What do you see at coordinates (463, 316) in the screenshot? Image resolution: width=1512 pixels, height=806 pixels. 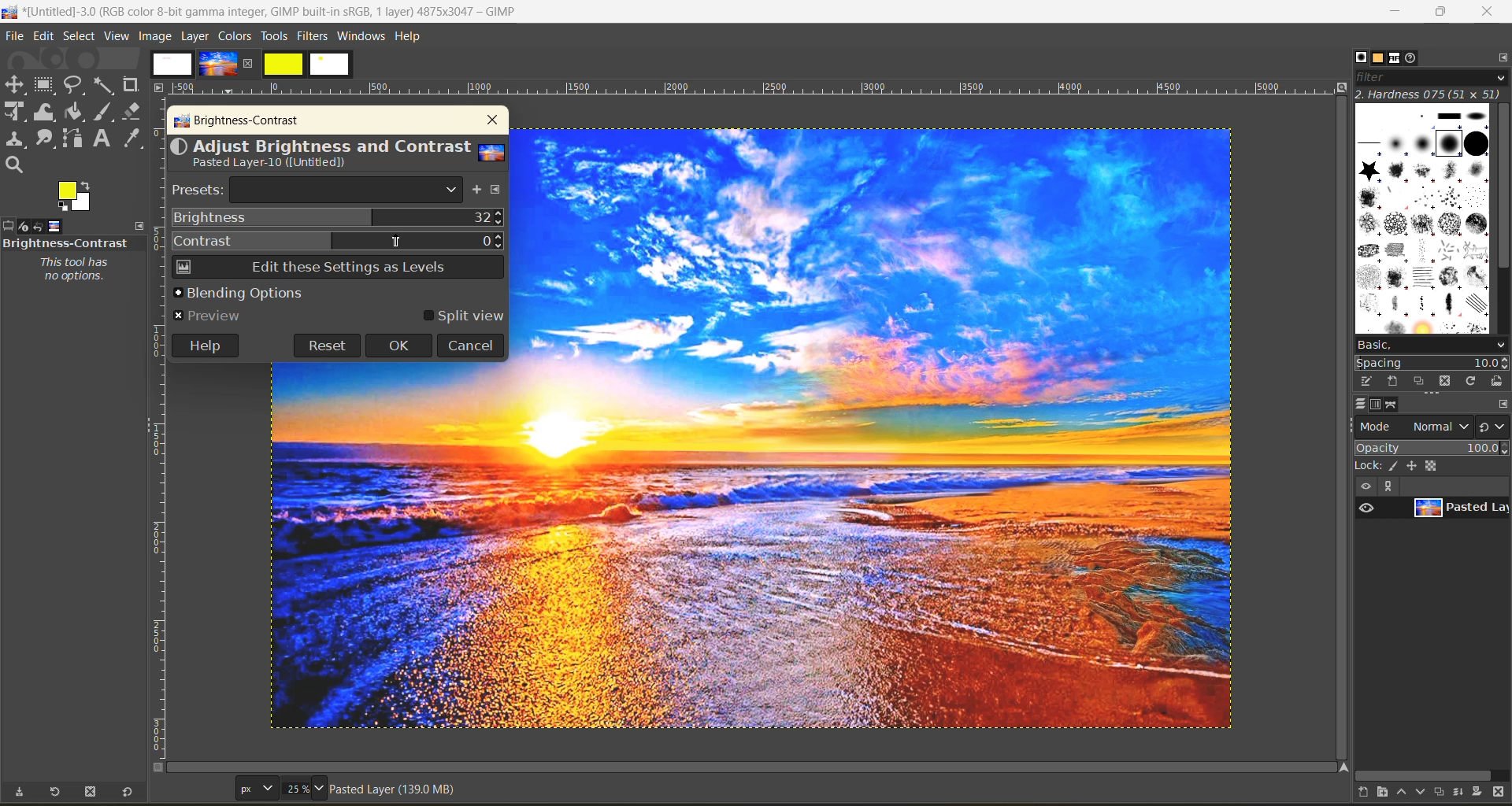 I see `split view` at bounding box center [463, 316].